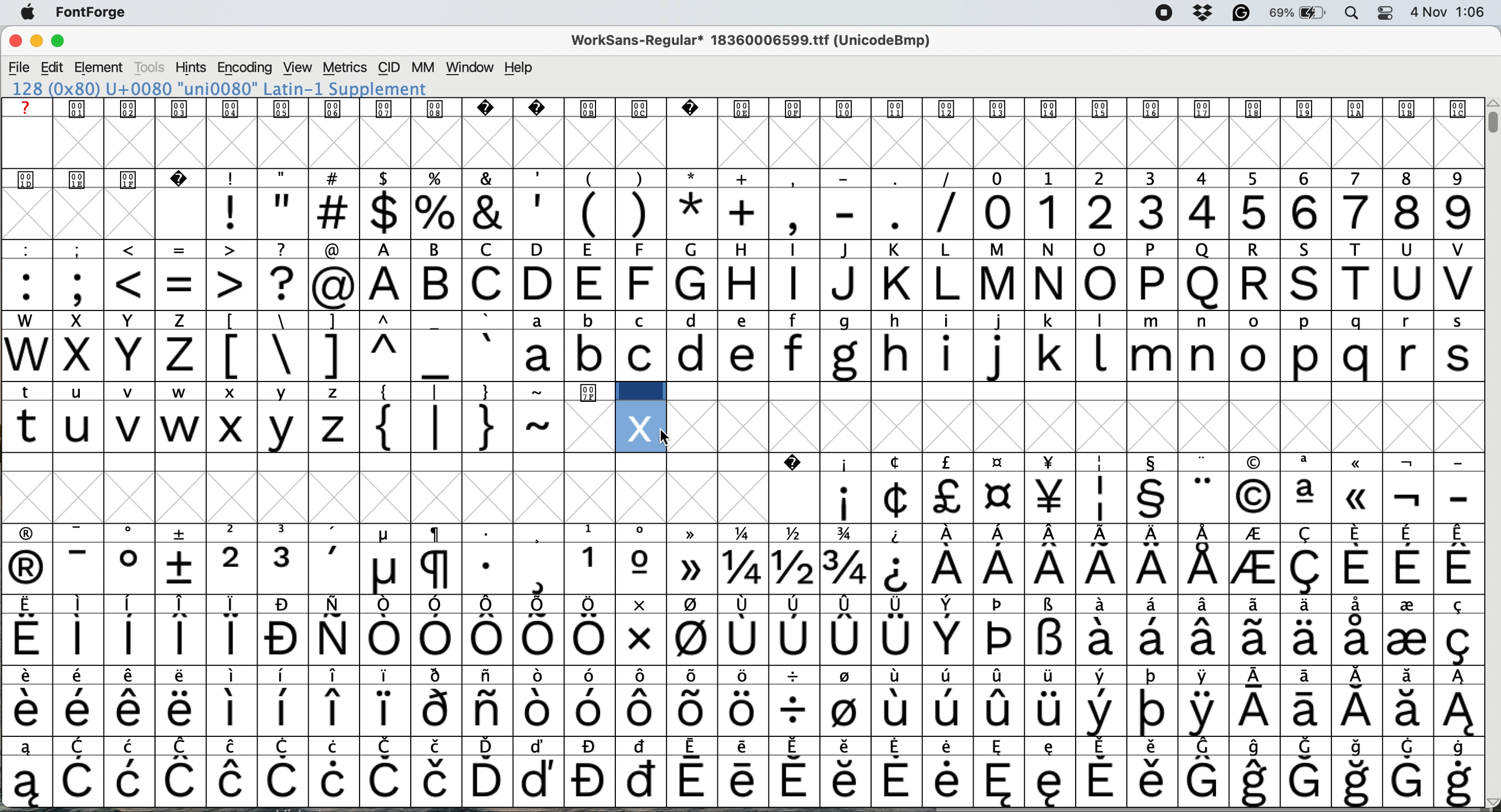  What do you see at coordinates (743, 461) in the screenshot?
I see `SPECIAL CHARACTERS` at bounding box center [743, 461].